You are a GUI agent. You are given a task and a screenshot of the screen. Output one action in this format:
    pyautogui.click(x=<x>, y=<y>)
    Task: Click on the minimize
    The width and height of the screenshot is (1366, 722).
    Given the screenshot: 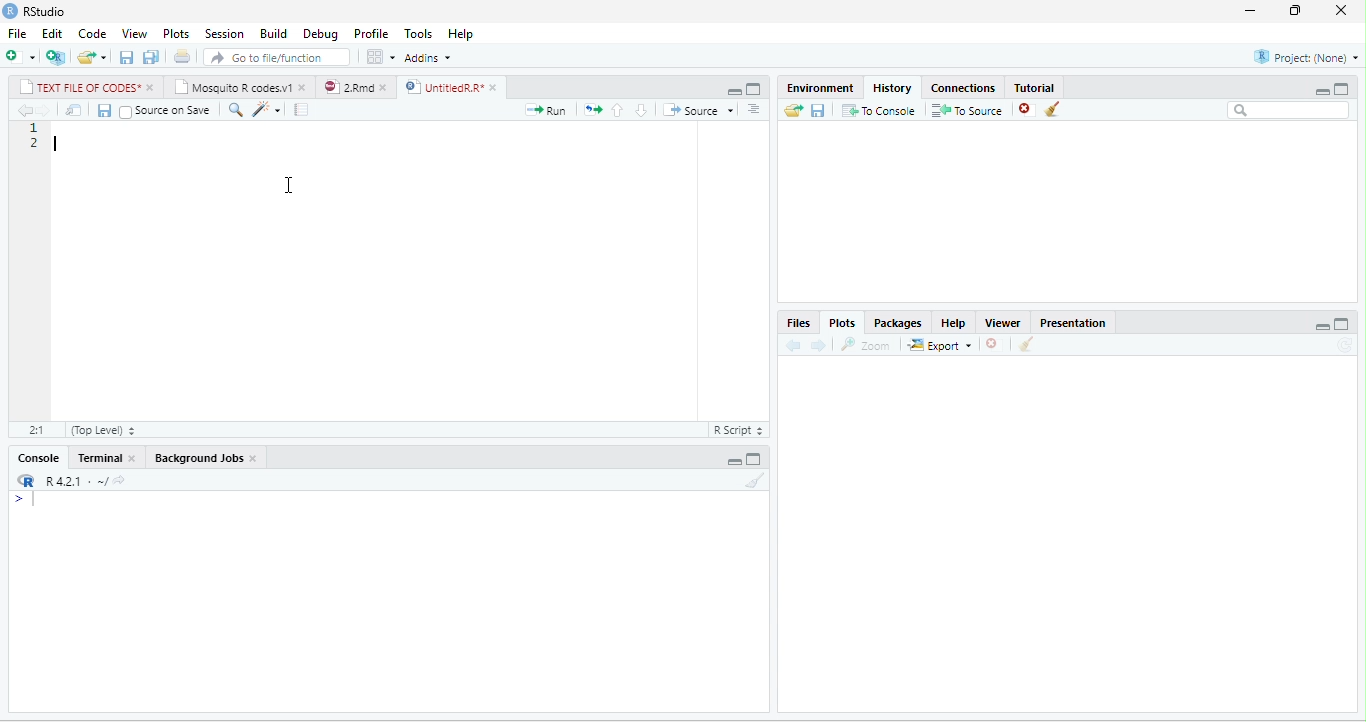 What is the action you would take?
    pyautogui.click(x=1321, y=91)
    